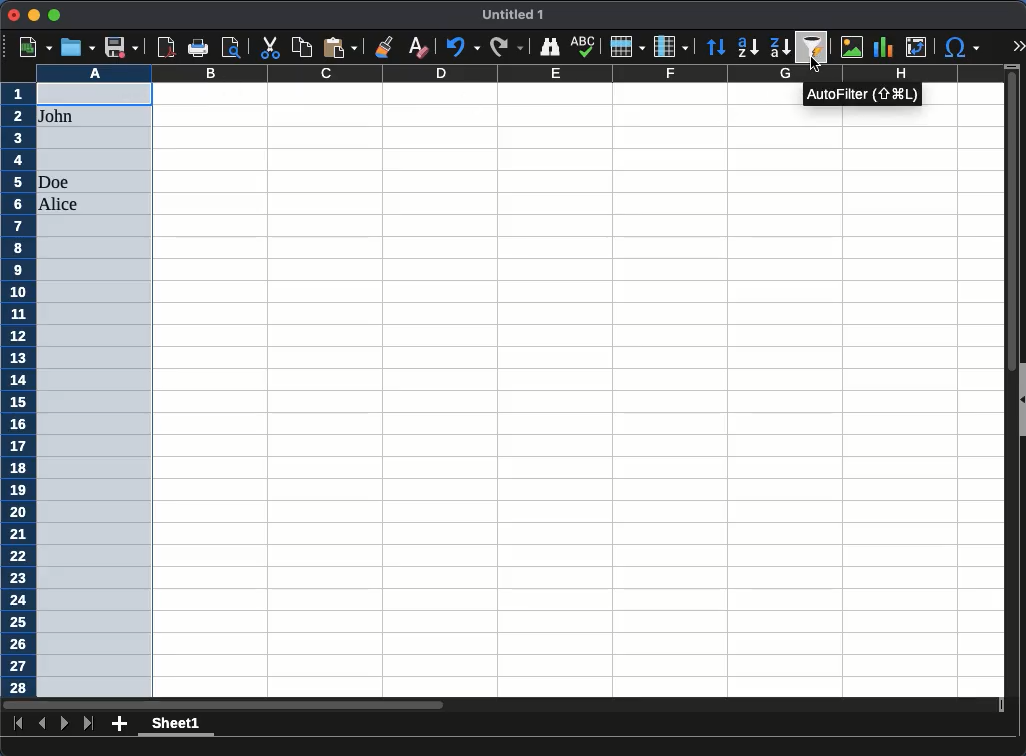  I want to click on autofilter (symbols), so click(852, 95).